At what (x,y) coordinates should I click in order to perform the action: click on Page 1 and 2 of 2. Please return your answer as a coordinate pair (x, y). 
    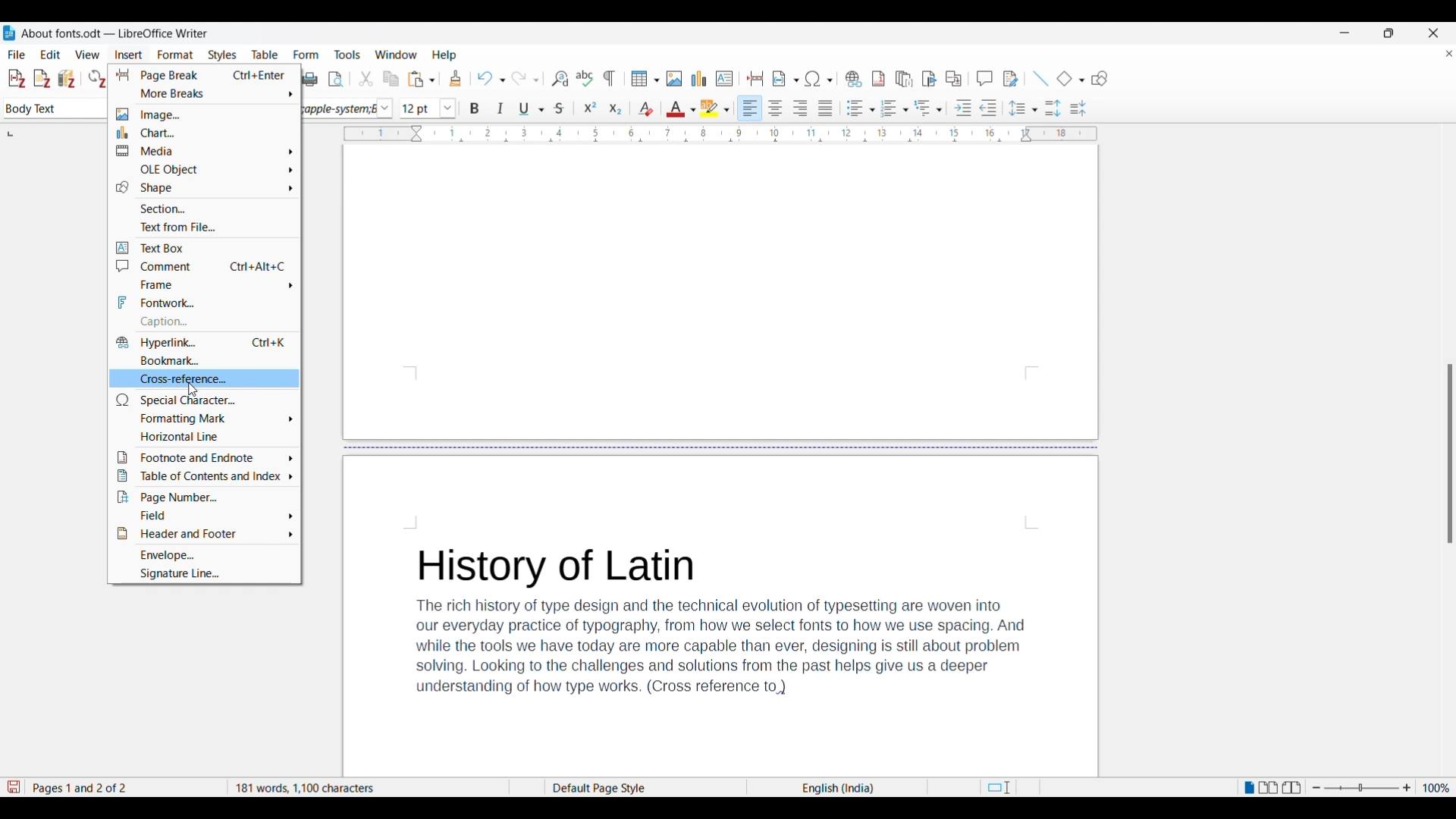
    Looking at the image, I should click on (124, 787).